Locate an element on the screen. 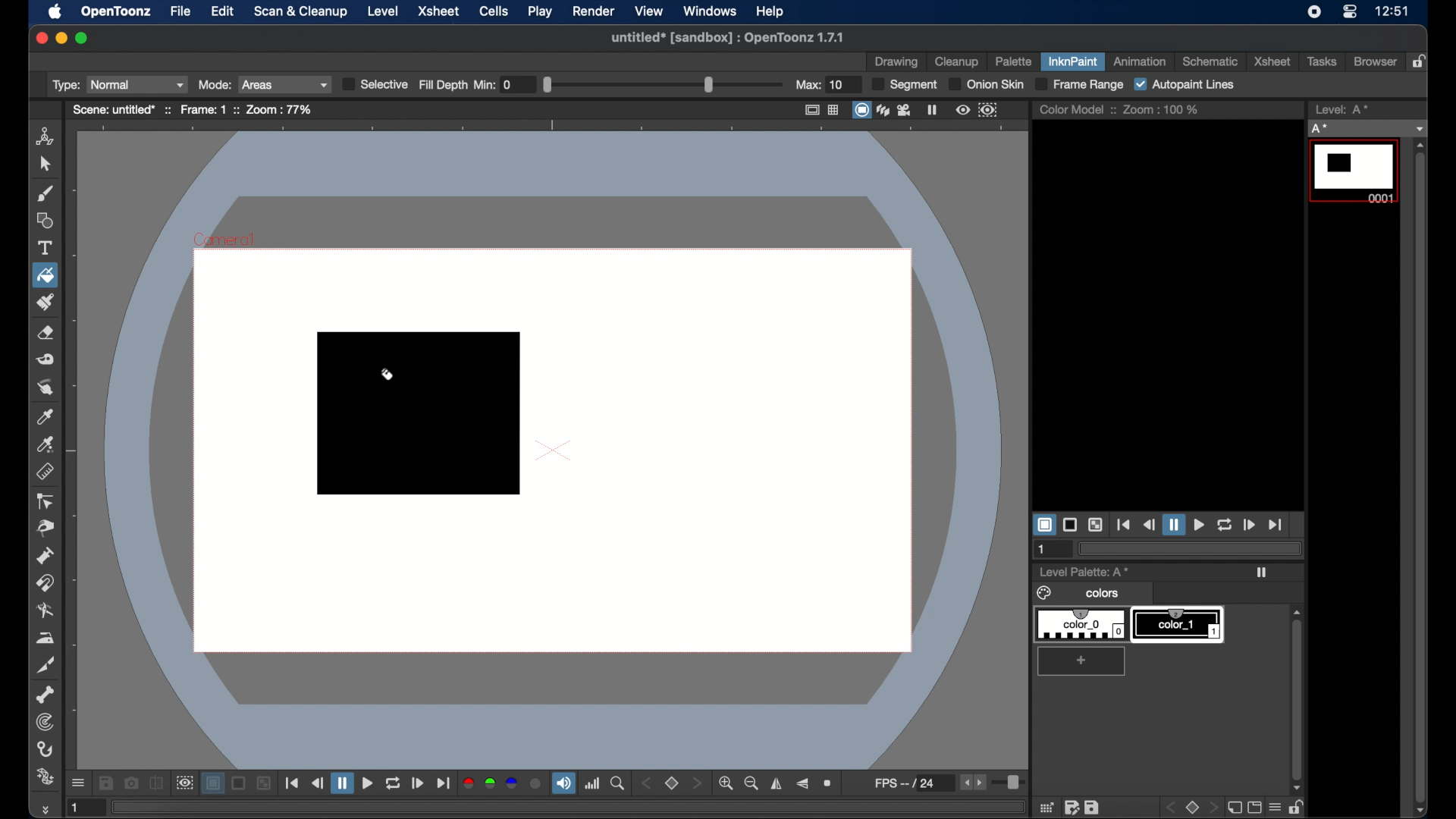 Image resolution: width=1456 pixels, height=819 pixels. slider is located at coordinates (1011, 784).